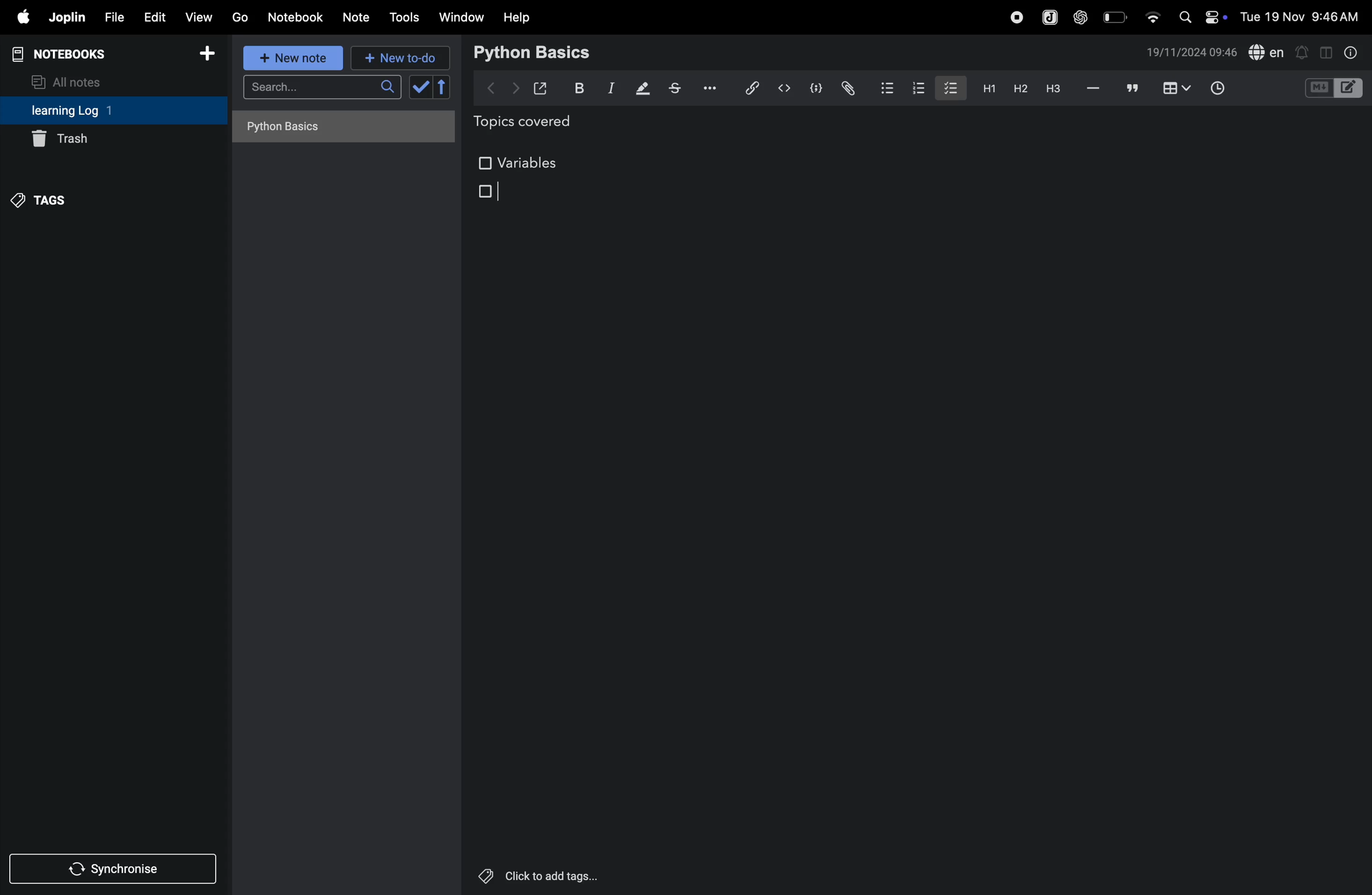 The image size is (1372, 895). I want to click on notebook, so click(297, 16).